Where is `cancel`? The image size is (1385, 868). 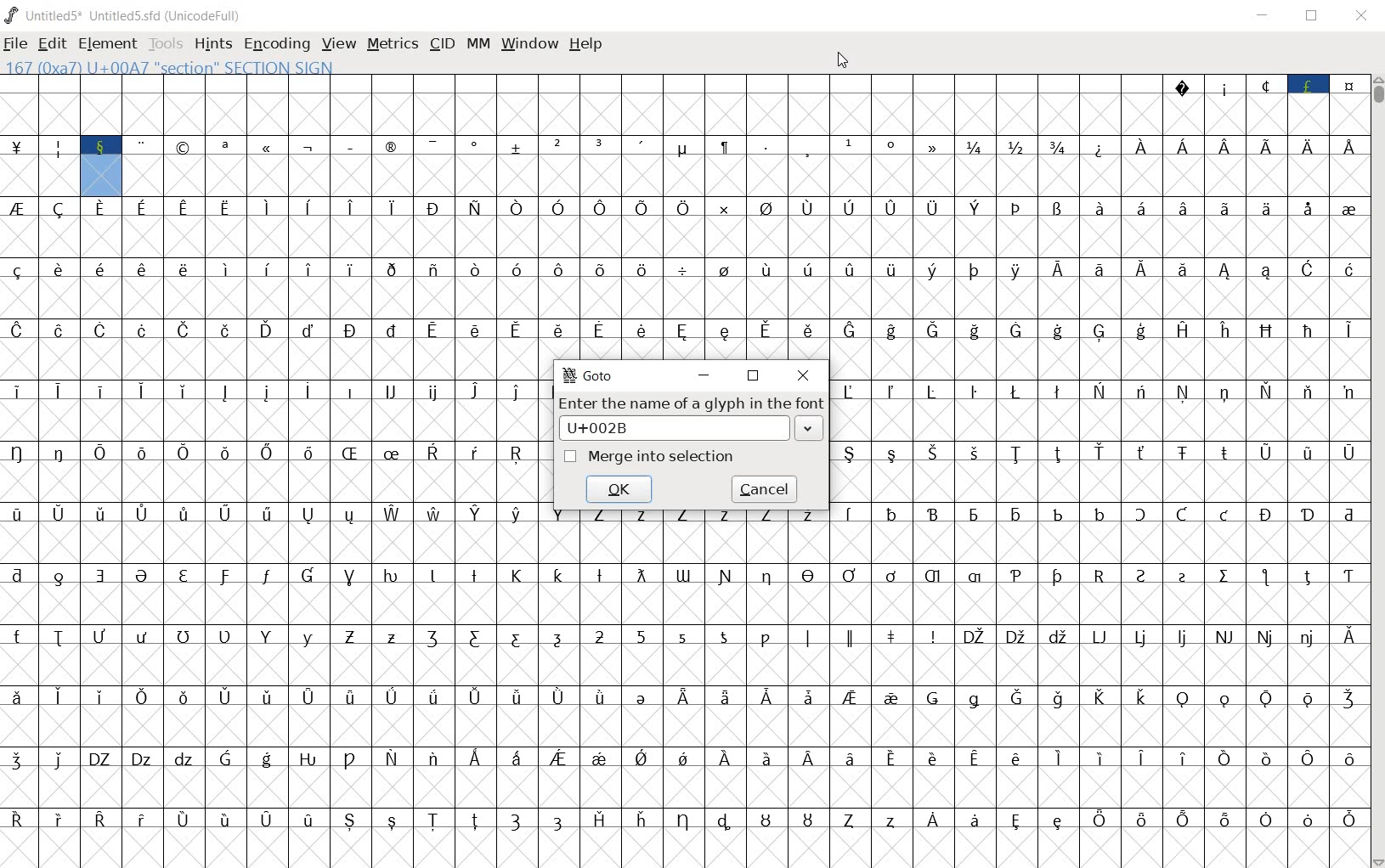 cancel is located at coordinates (762, 490).